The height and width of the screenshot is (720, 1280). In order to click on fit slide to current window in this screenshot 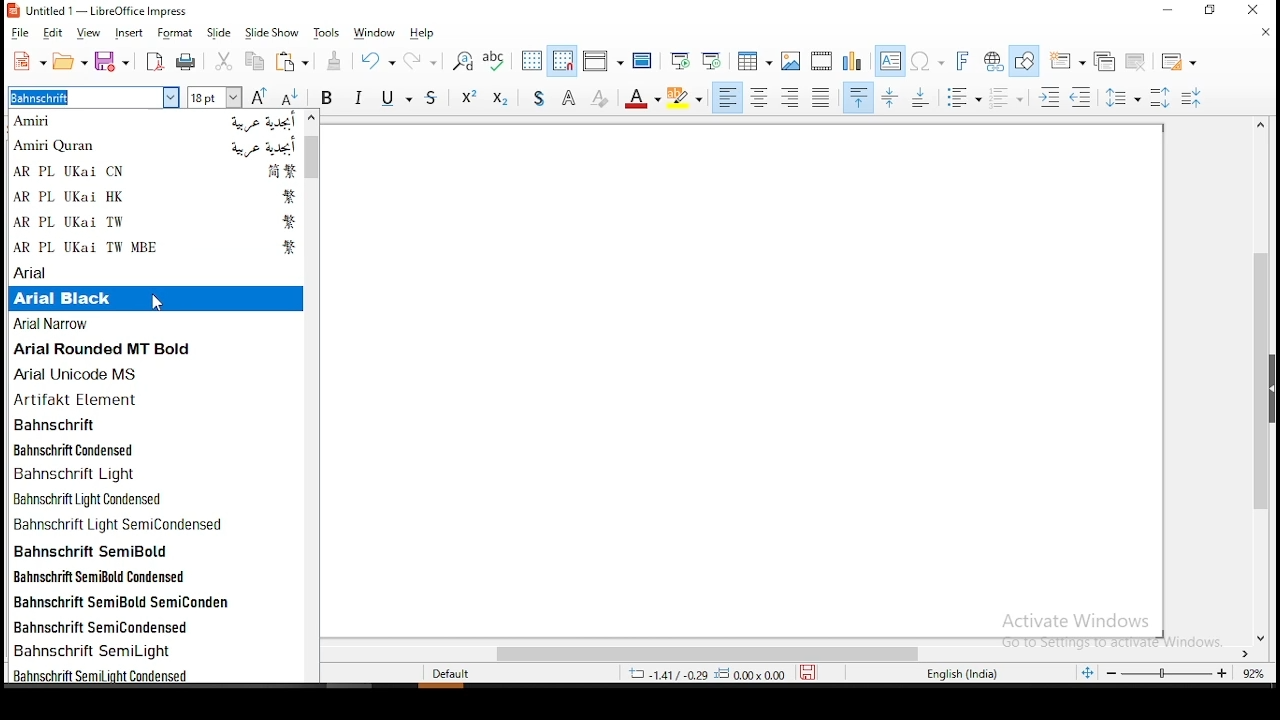, I will do `click(1087, 672)`.